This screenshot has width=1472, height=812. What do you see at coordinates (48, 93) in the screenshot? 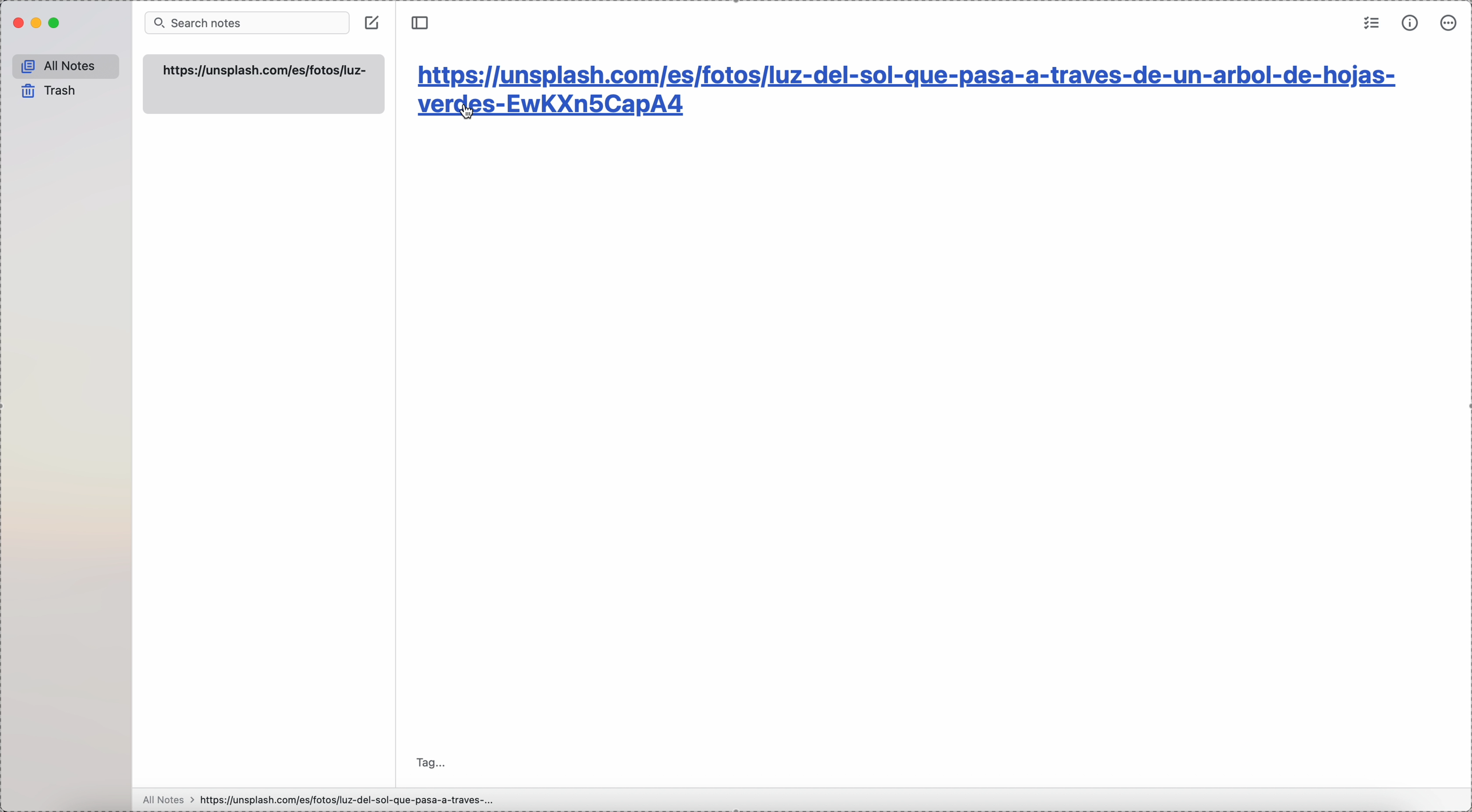
I see `trash` at bounding box center [48, 93].